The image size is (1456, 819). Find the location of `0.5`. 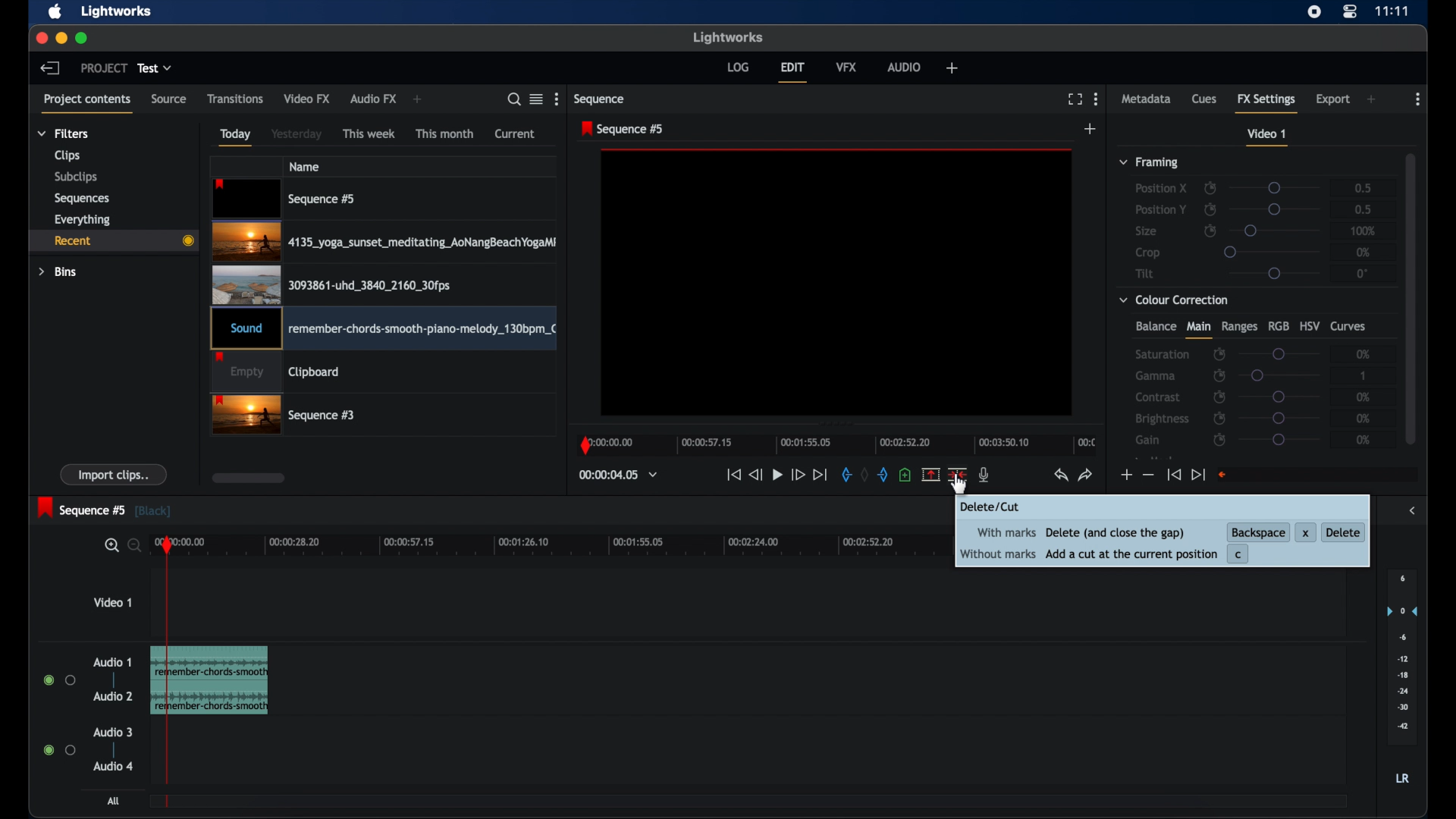

0.5 is located at coordinates (1363, 209).